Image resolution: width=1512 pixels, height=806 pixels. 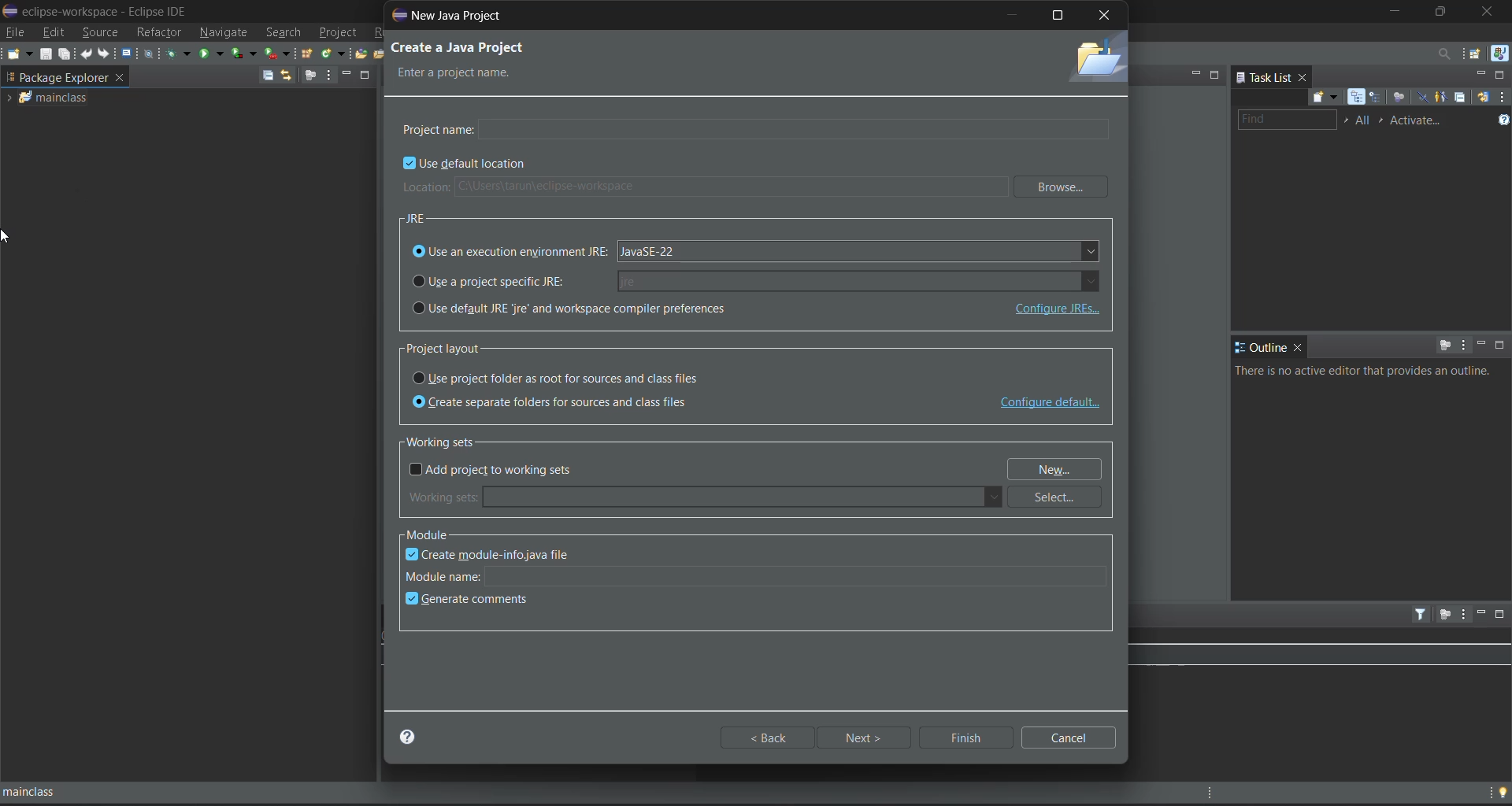 What do you see at coordinates (448, 441) in the screenshot?
I see `working sets` at bounding box center [448, 441].